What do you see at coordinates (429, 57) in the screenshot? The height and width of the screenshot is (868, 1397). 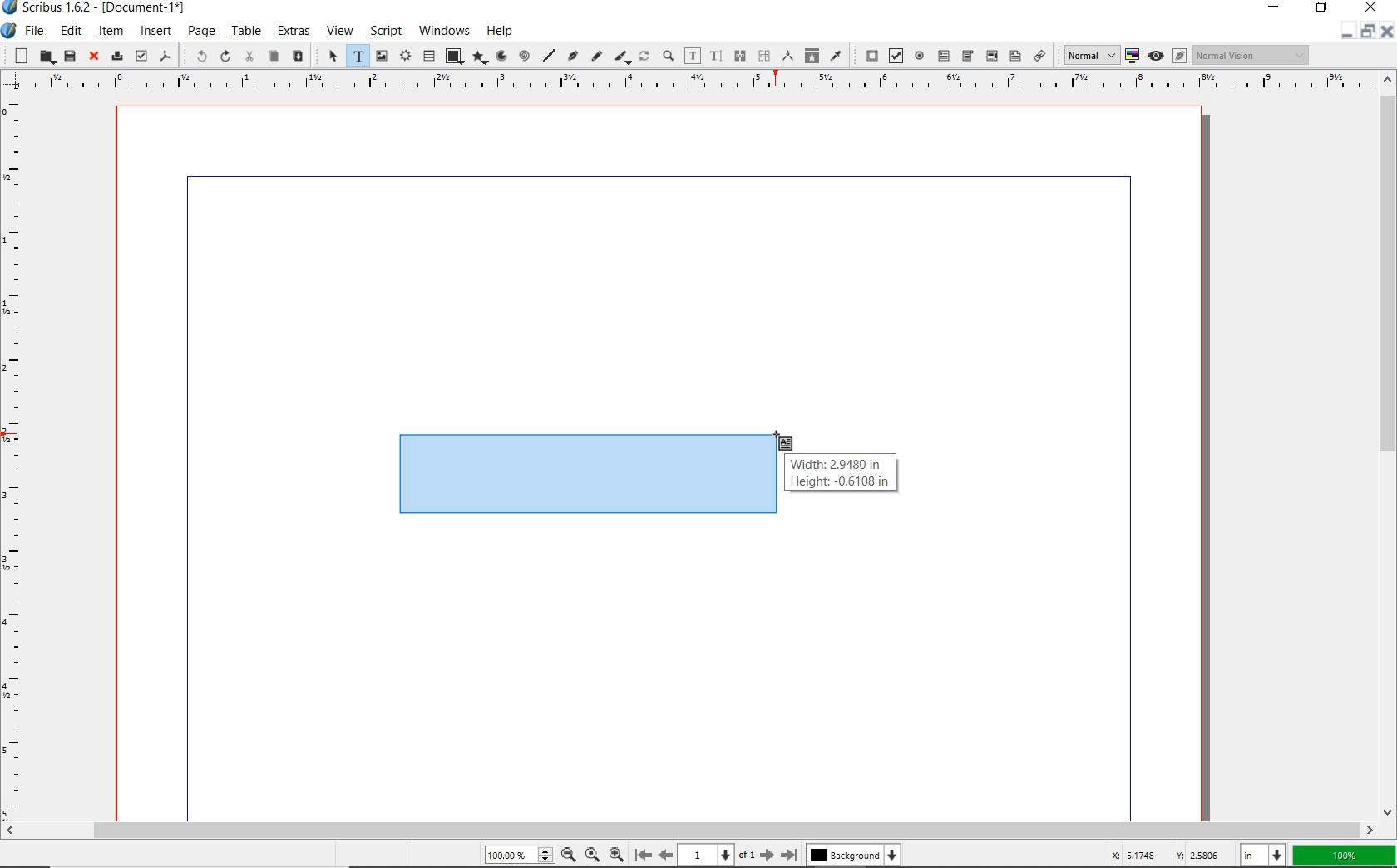 I see `table` at bounding box center [429, 57].